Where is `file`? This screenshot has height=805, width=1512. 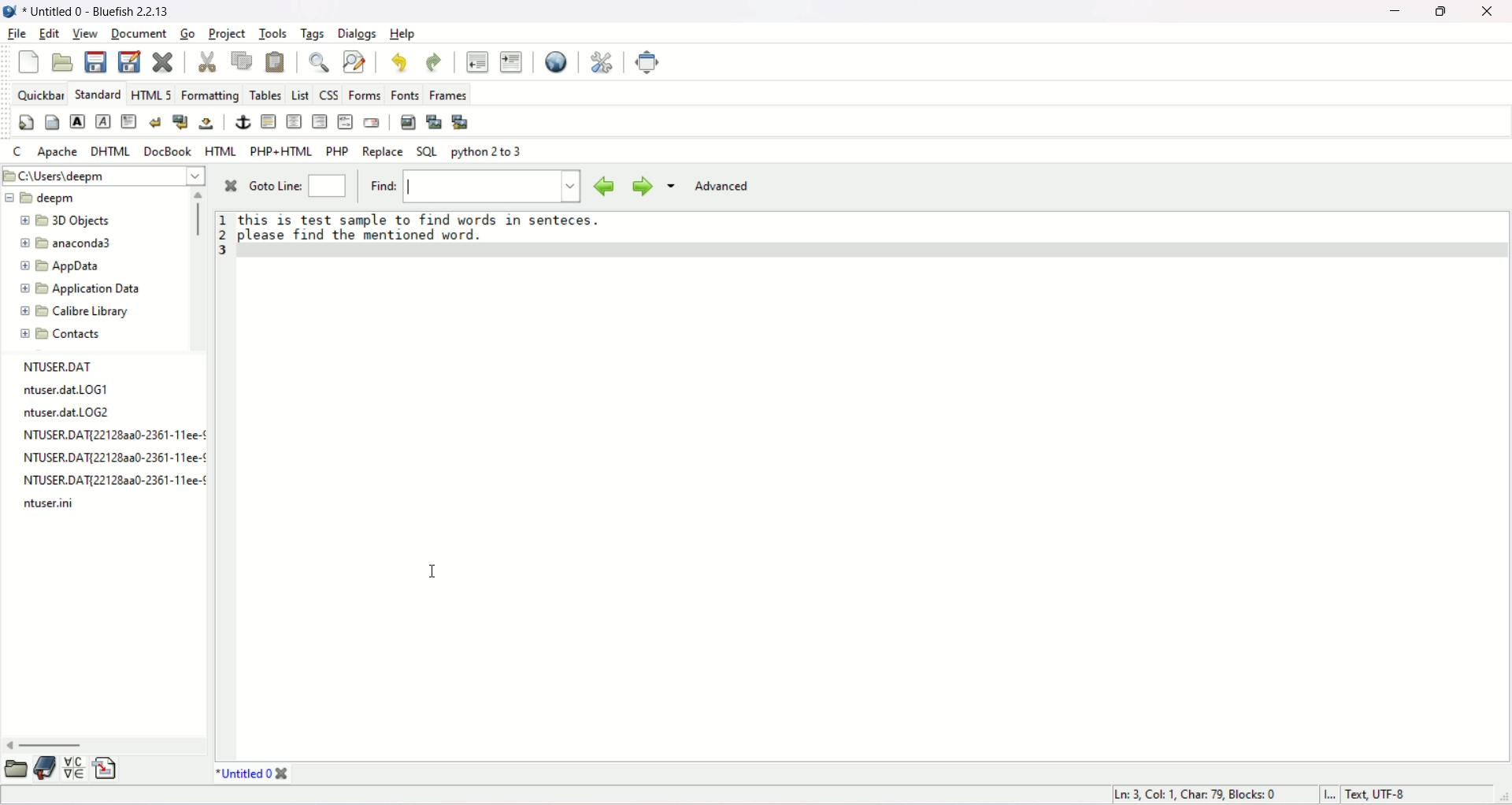
file is located at coordinates (15, 34).